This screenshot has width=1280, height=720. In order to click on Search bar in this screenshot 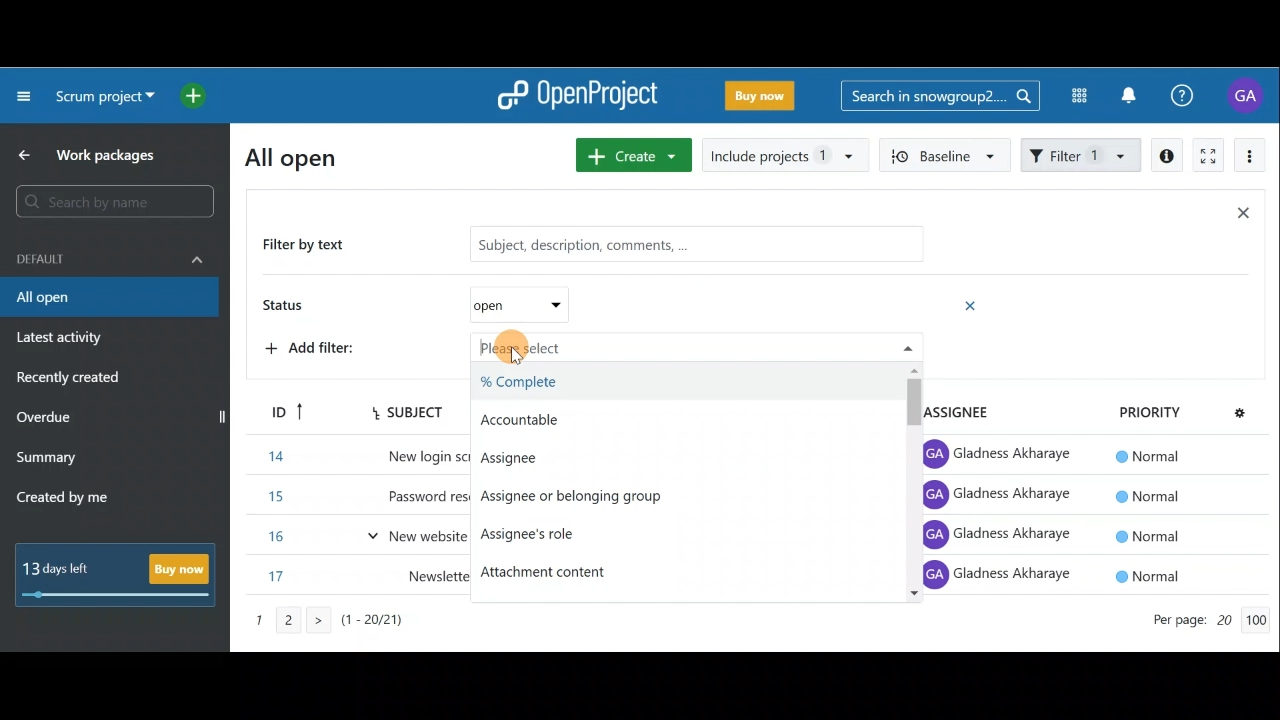, I will do `click(113, 205)`.